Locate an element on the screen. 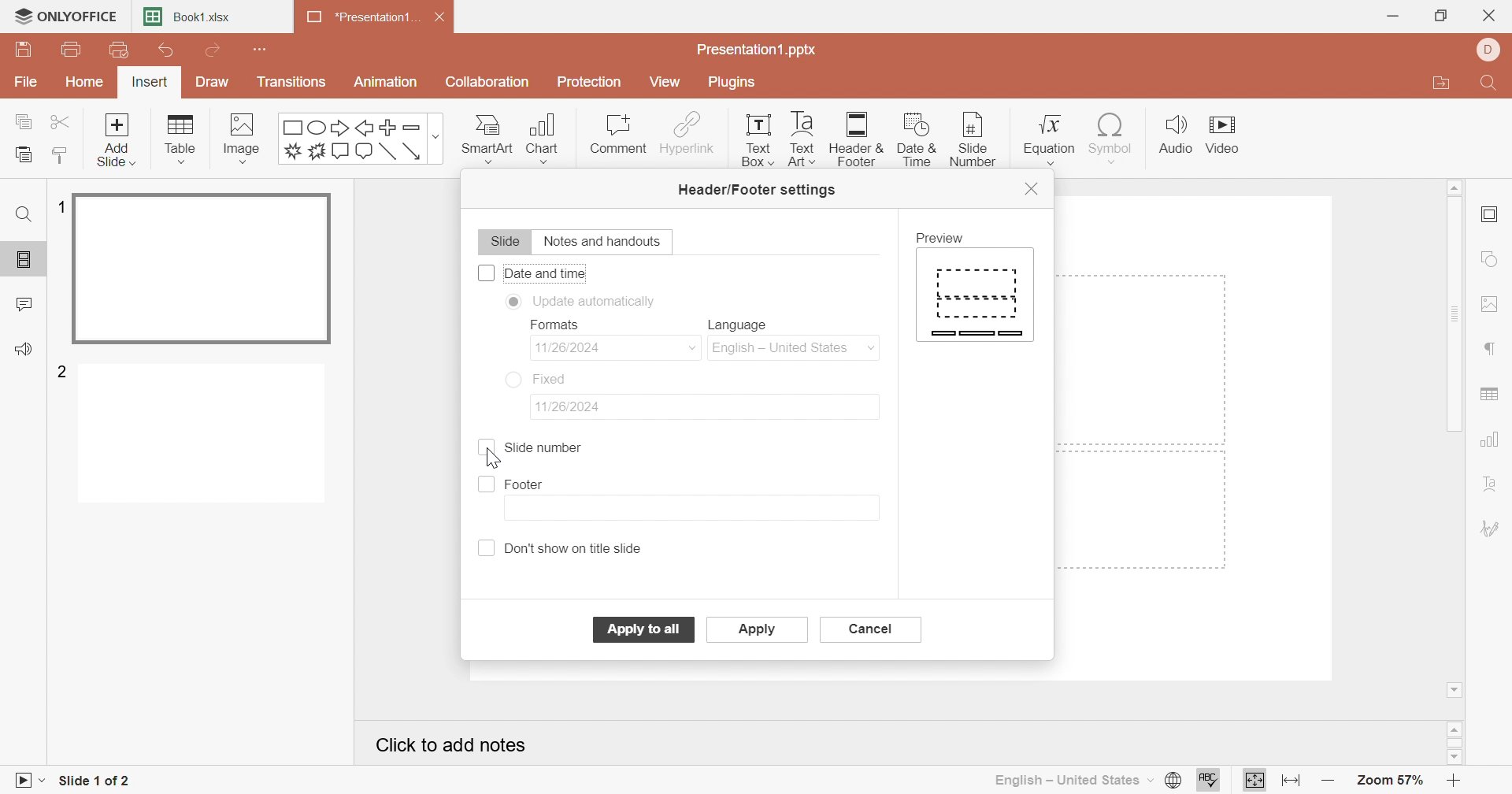  Fit to width is located at coordinates (1292, 781).